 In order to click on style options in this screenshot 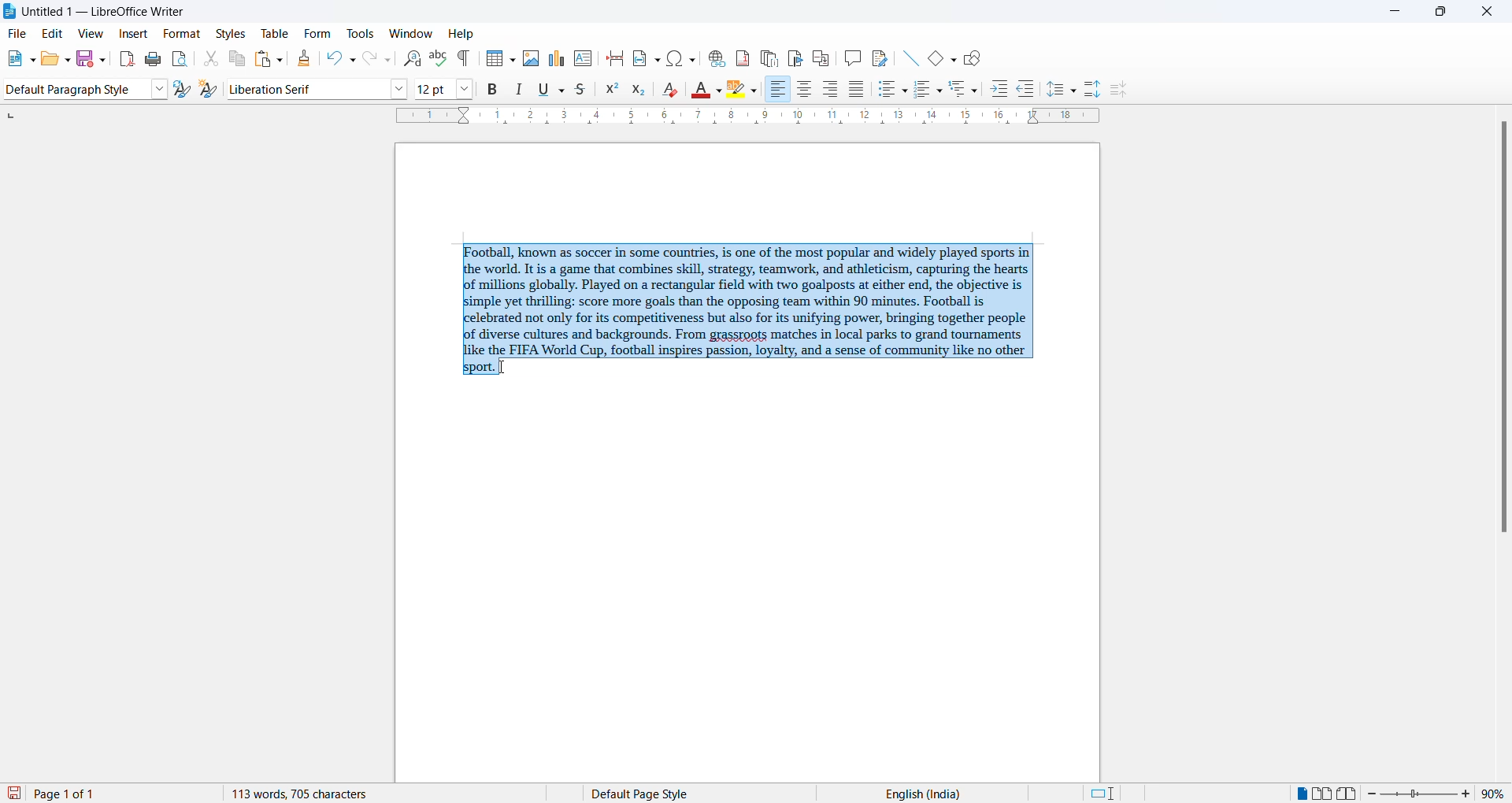, I will do `click(161, 88)`.